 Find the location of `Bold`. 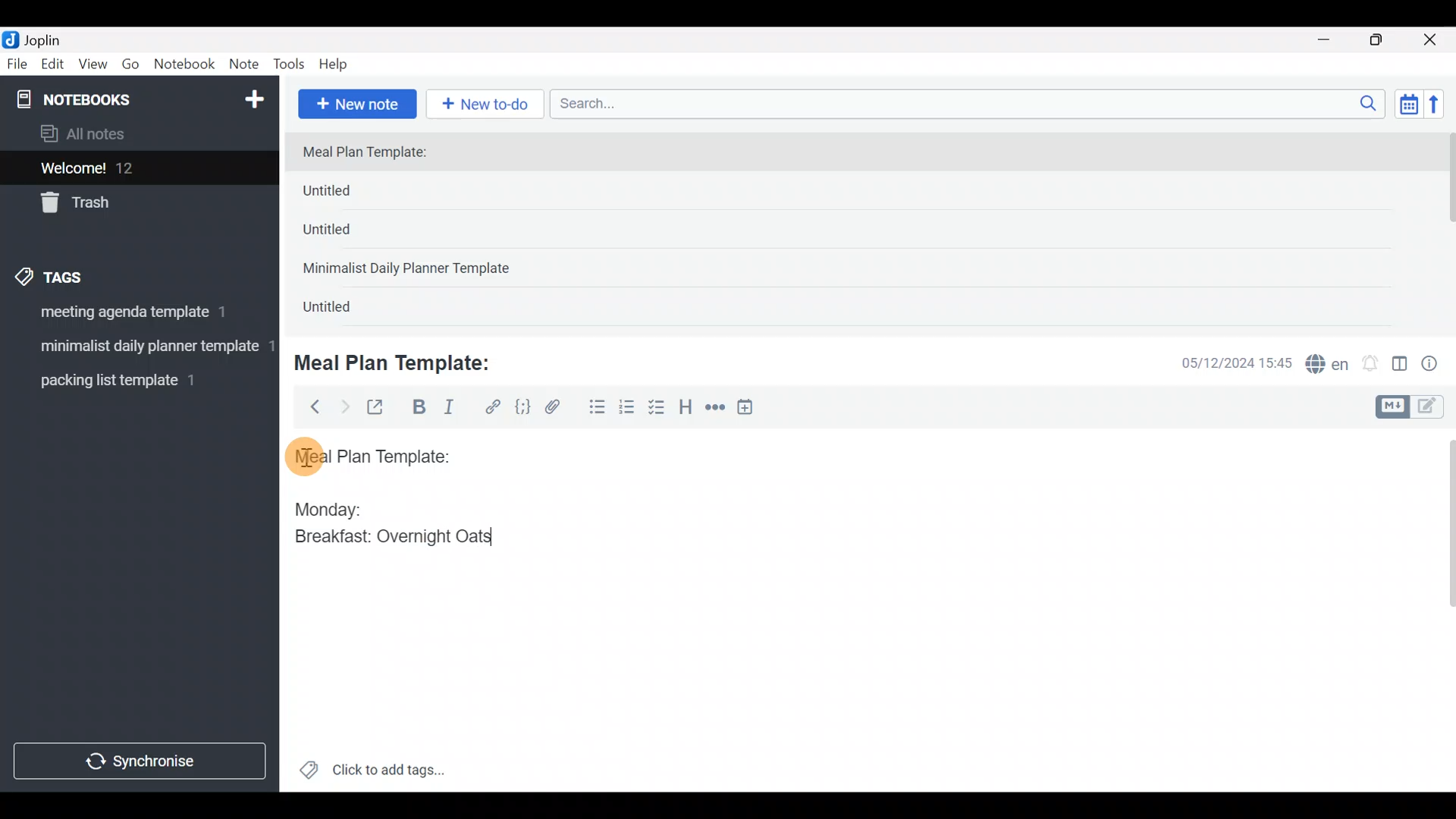

Bold is located at coordinates (418, 409).